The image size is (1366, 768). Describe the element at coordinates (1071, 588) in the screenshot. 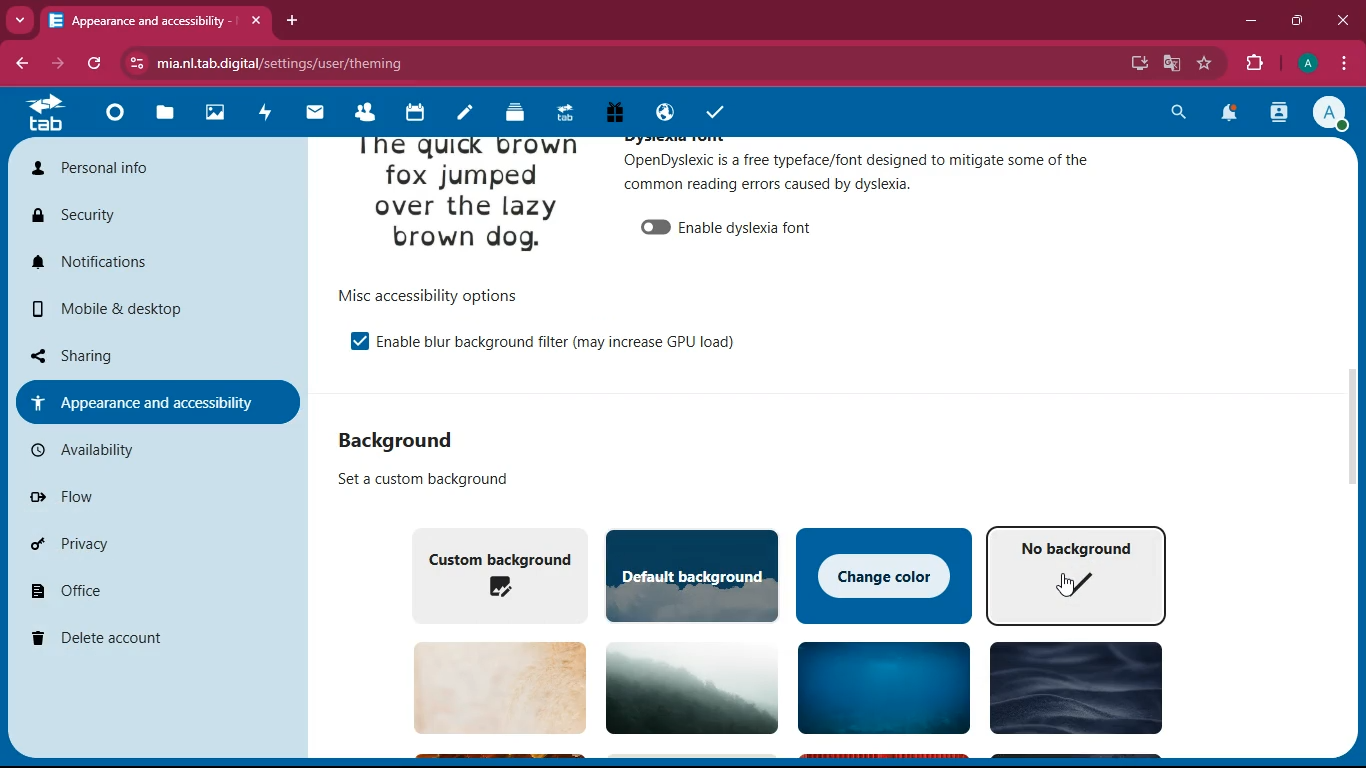

I see `cursor` at that location.